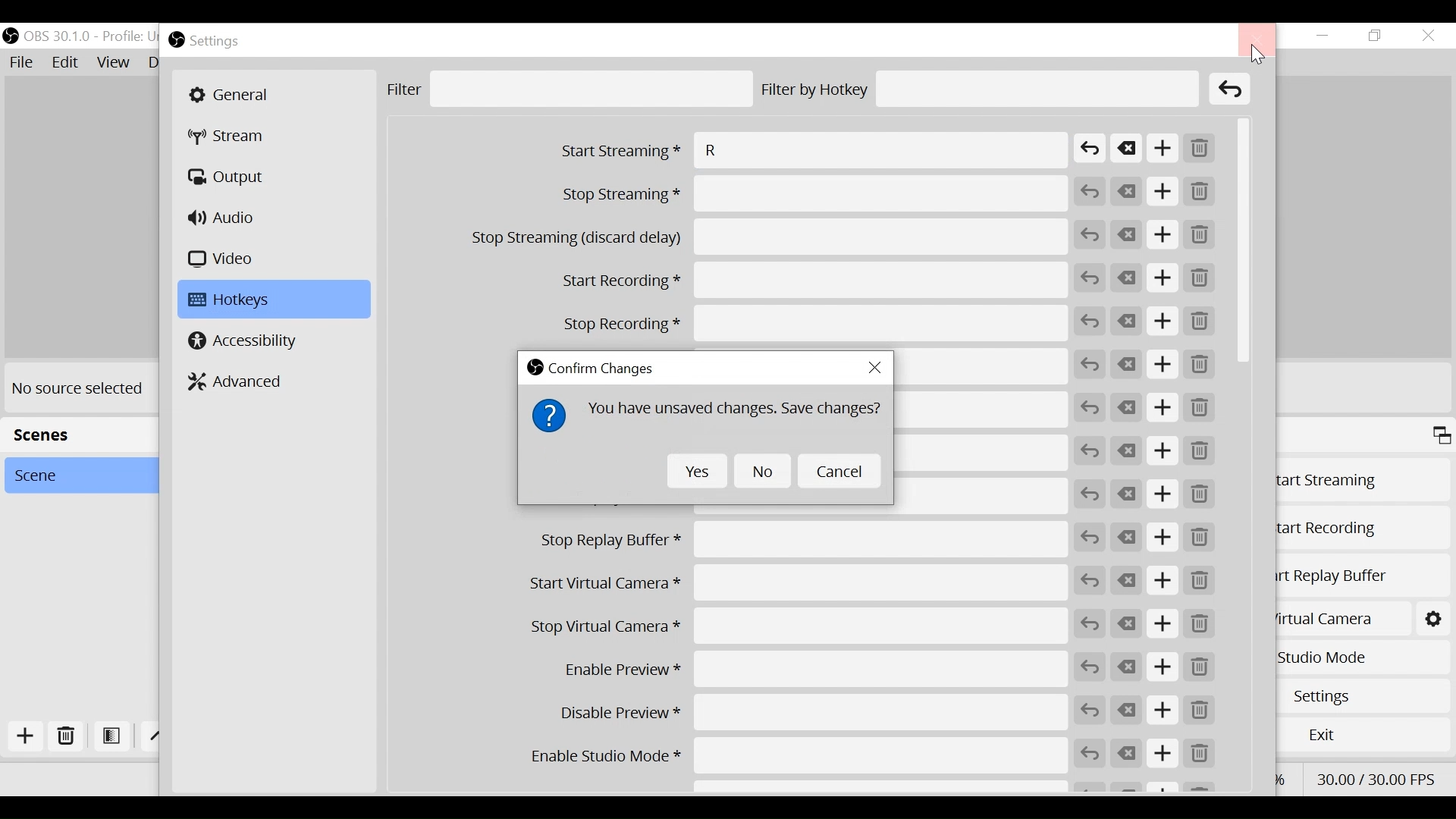 The height and width of the screenshot is (819, 1456). I want to click on Video, so click(224, 258).